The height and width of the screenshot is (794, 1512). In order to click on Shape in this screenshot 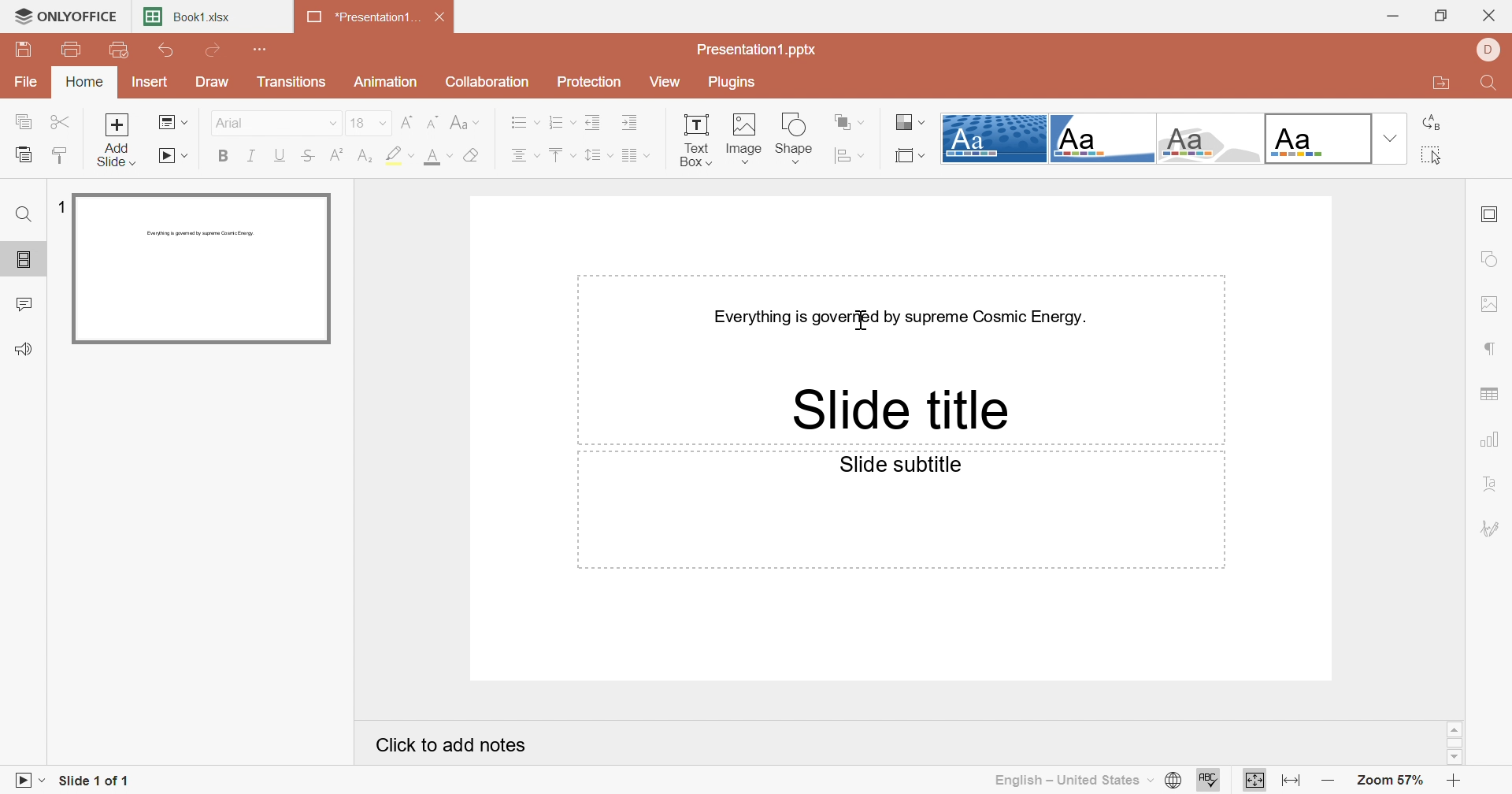, I will do `click(794, 138)`.